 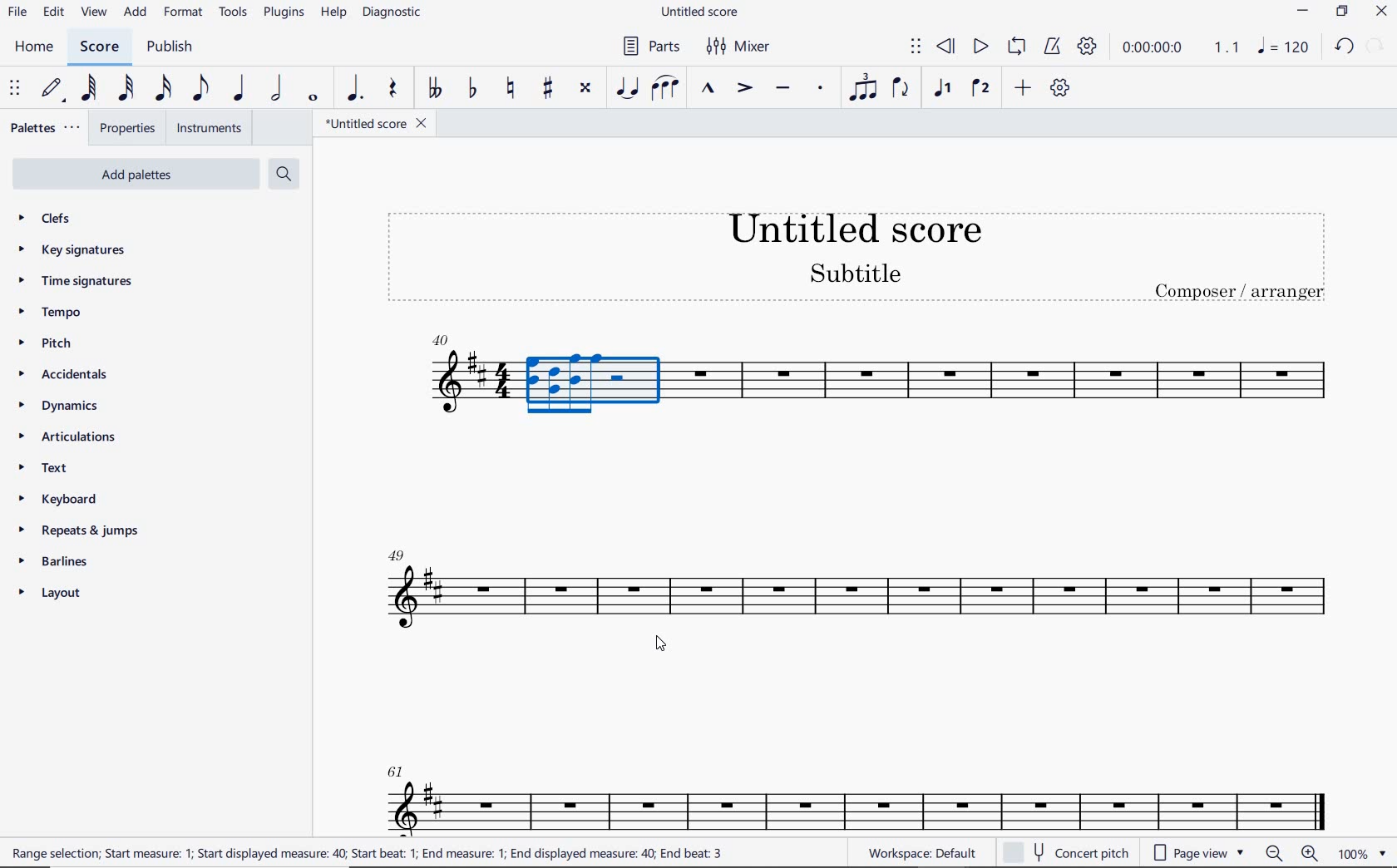 What do you see at coordinates (71, 374) in the screenshot?
I see `ACCIDENTALS` at bounding box center [71, 374].